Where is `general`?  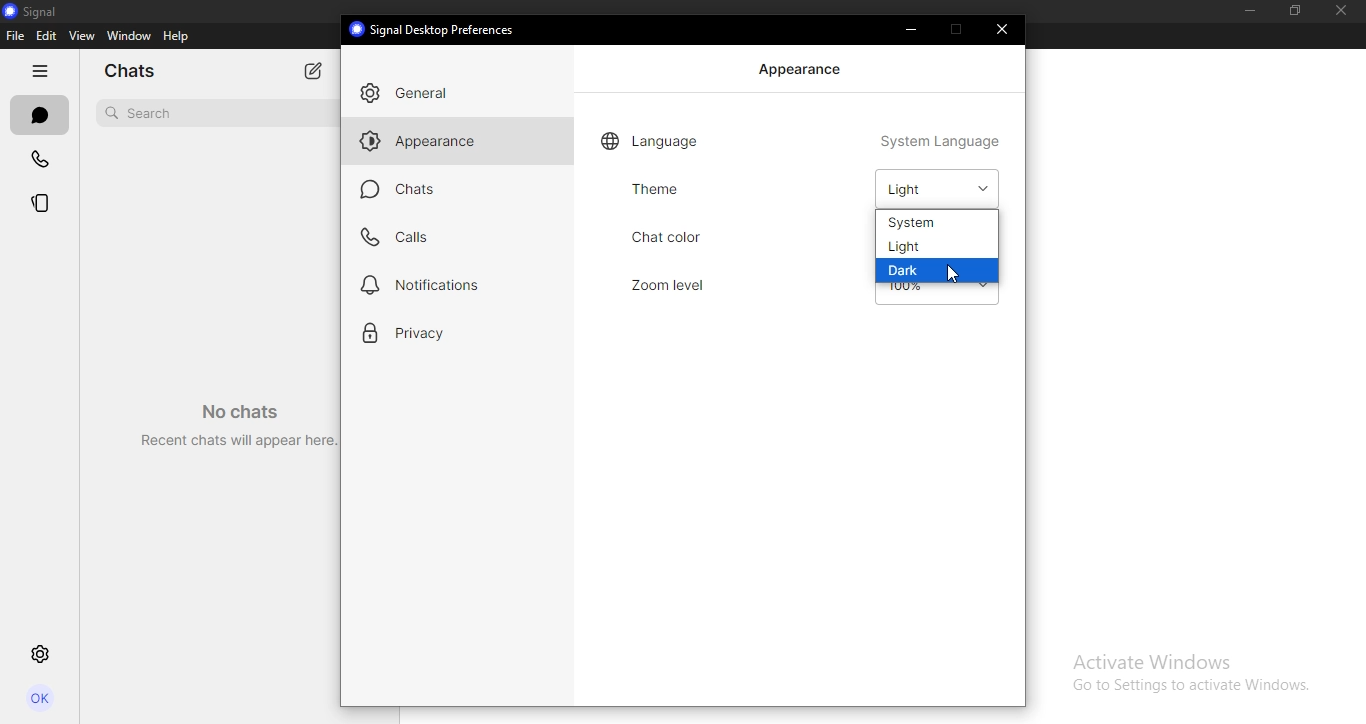
general is located at coordinates (416, 94).